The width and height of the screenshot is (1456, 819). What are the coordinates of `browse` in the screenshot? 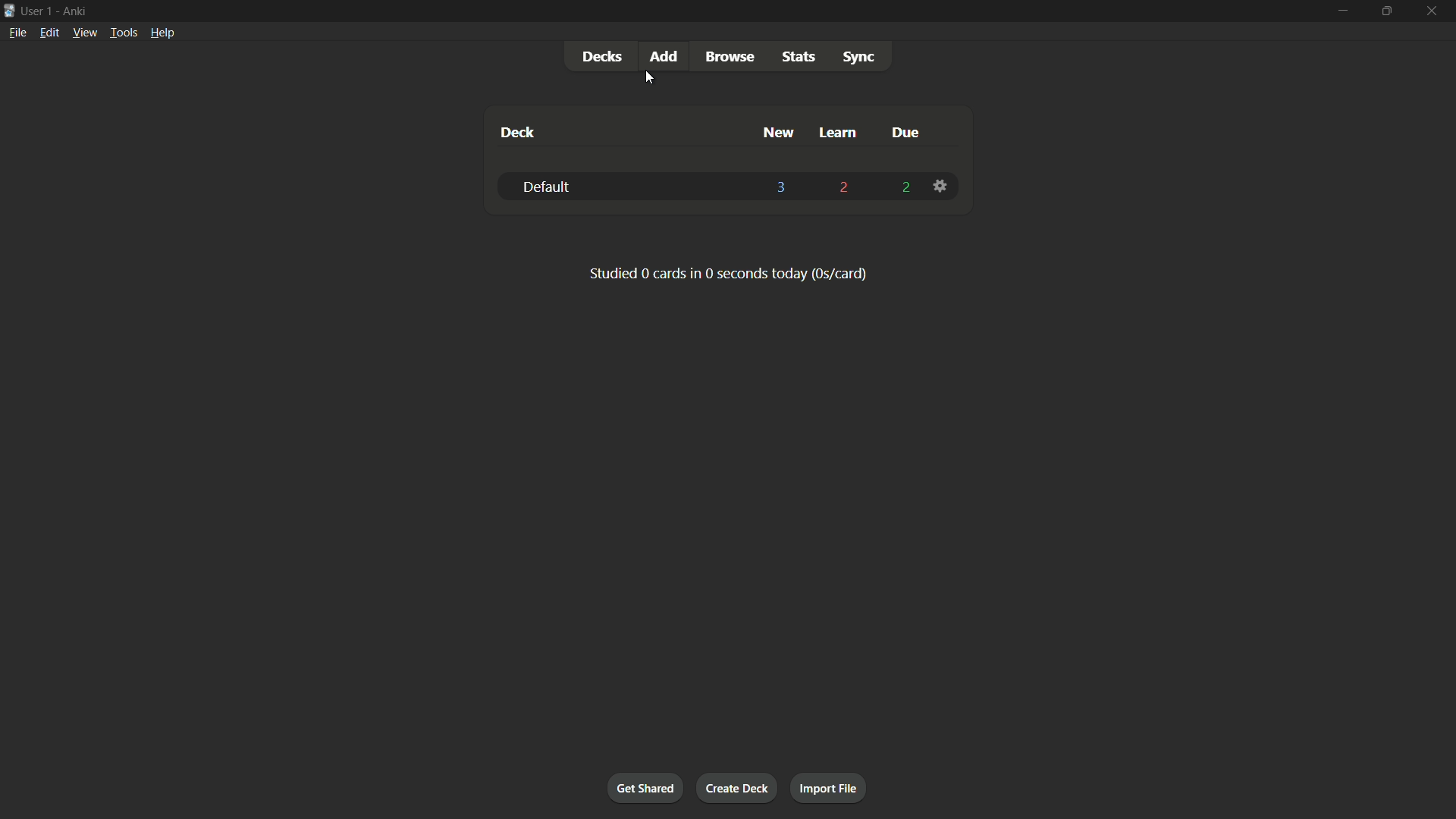 It's located at (730, 57).